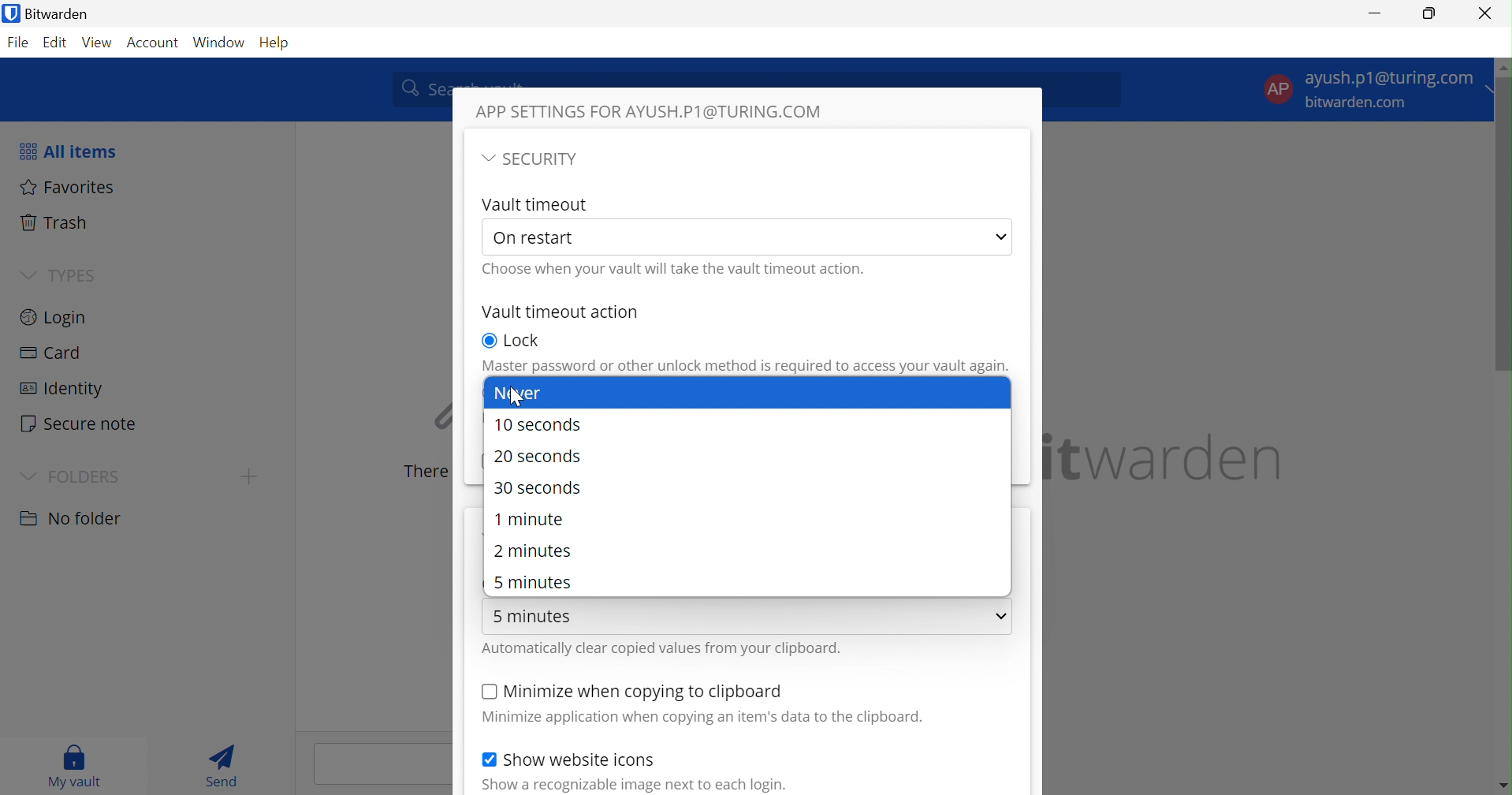 This screenshot has width=1512, height=795. Describe the element at coordinates (1502, 68) in the screenshot. I see `move up` at that location.